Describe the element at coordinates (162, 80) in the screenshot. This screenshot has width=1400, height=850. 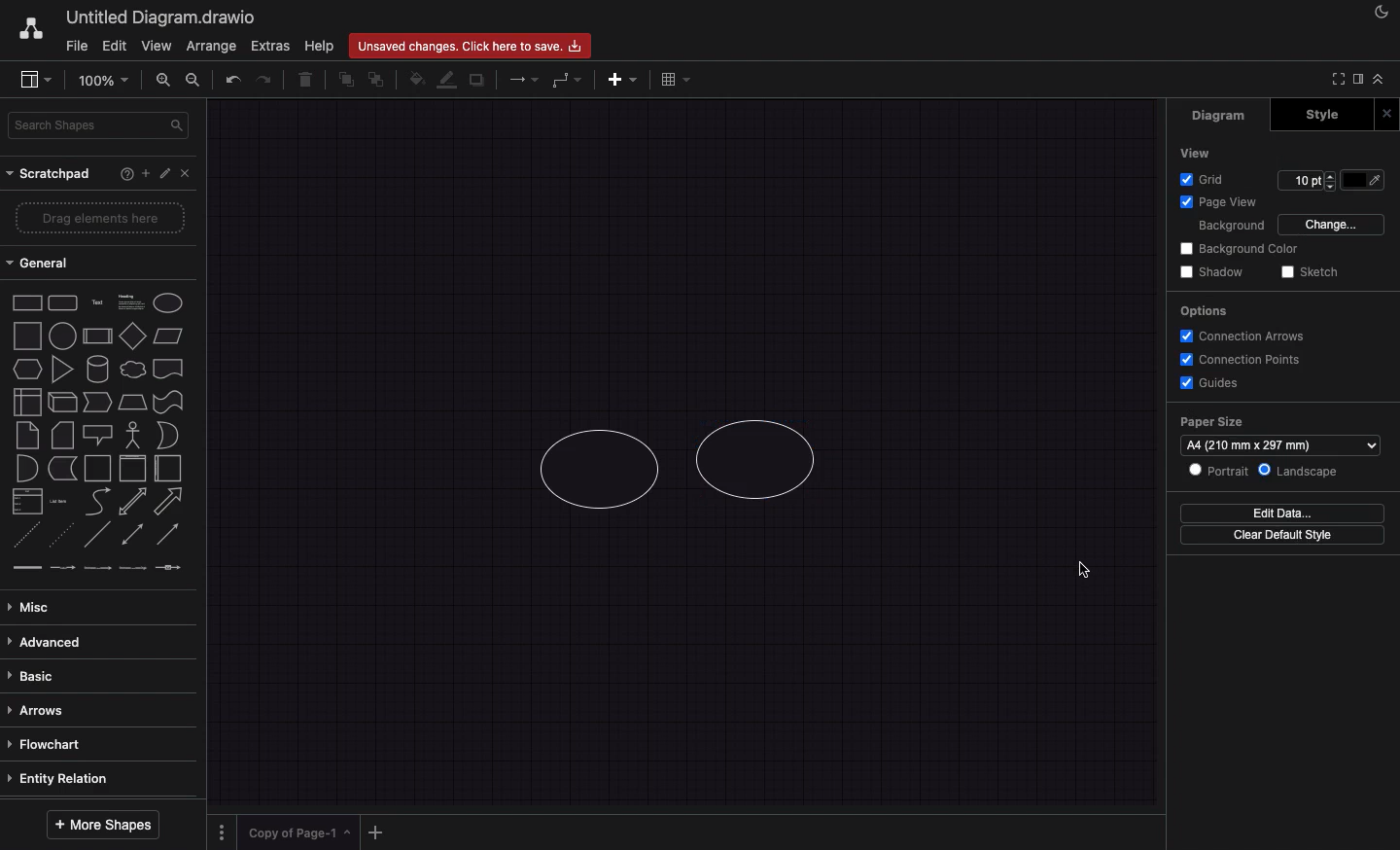
I see `zoom in` at that location.